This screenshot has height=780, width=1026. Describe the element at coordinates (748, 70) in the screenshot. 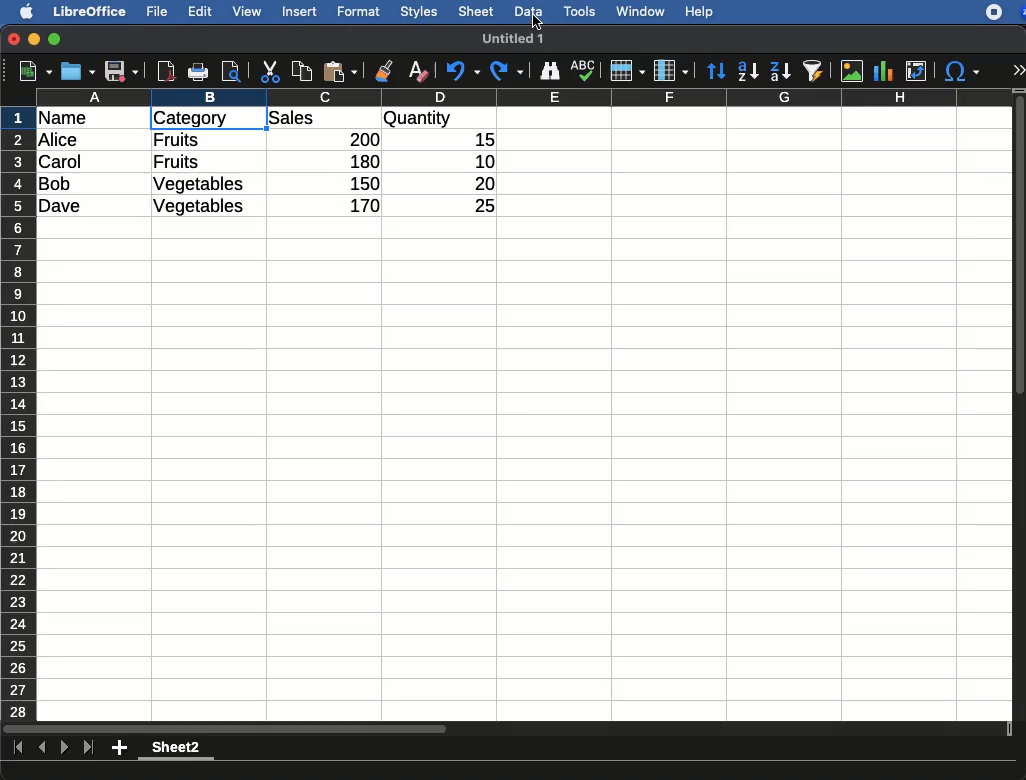

I see `ascending` at that location.